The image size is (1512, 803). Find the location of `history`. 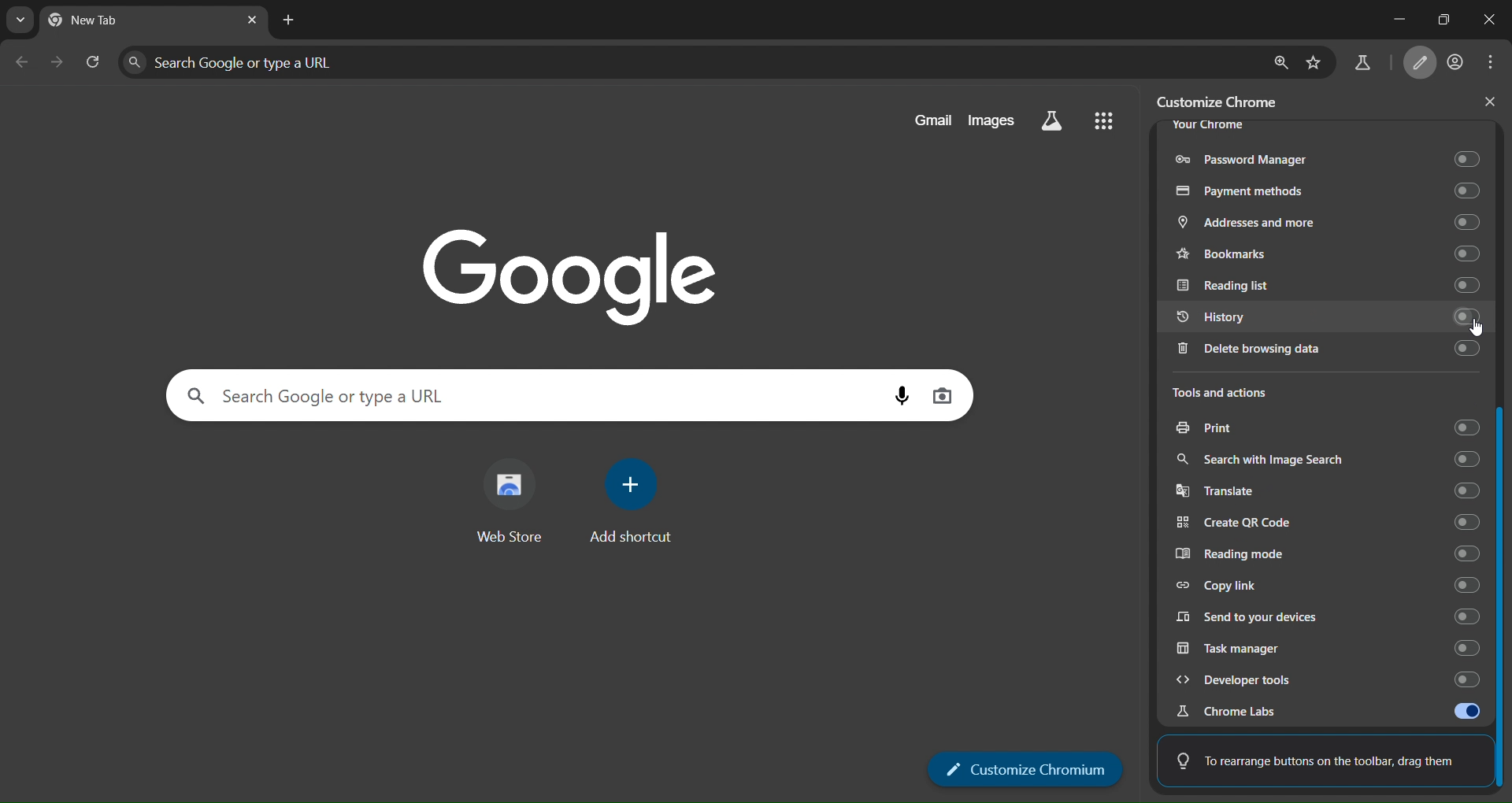

history is located at coordinates (1323, 317).